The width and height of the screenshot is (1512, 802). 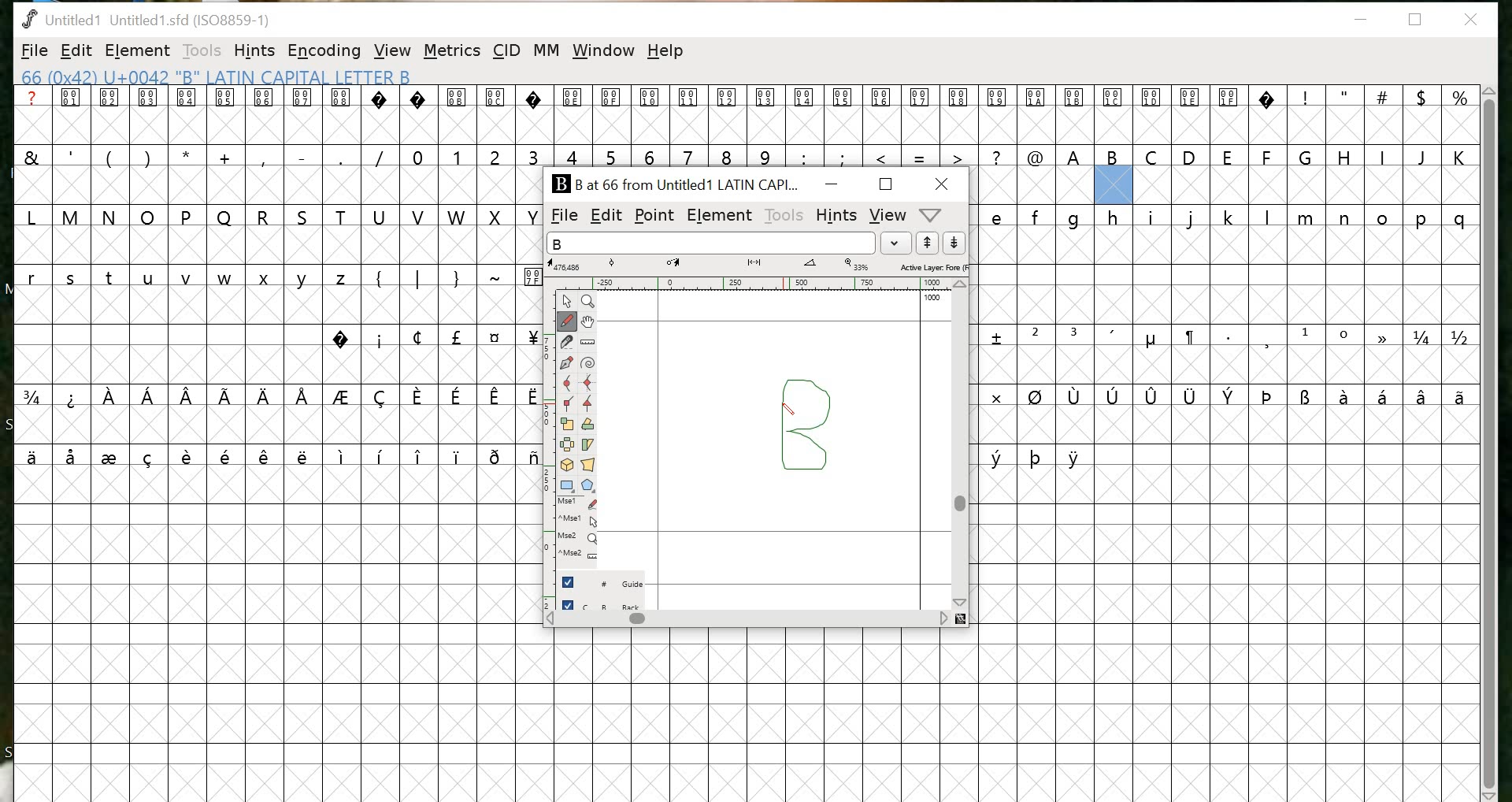 I want to click on HINTS, so click(x=836, y=214).